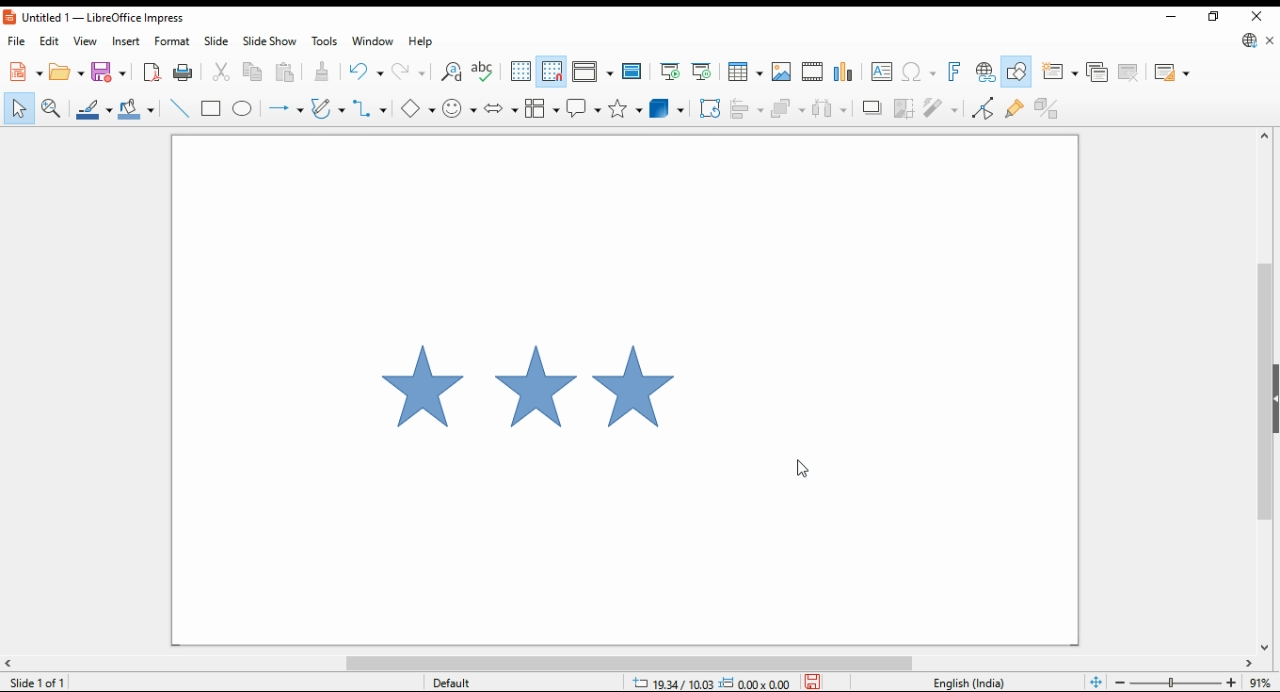  Describe the element at coordinates (369, 105) in the screenshot. I see `connectors` at that location.